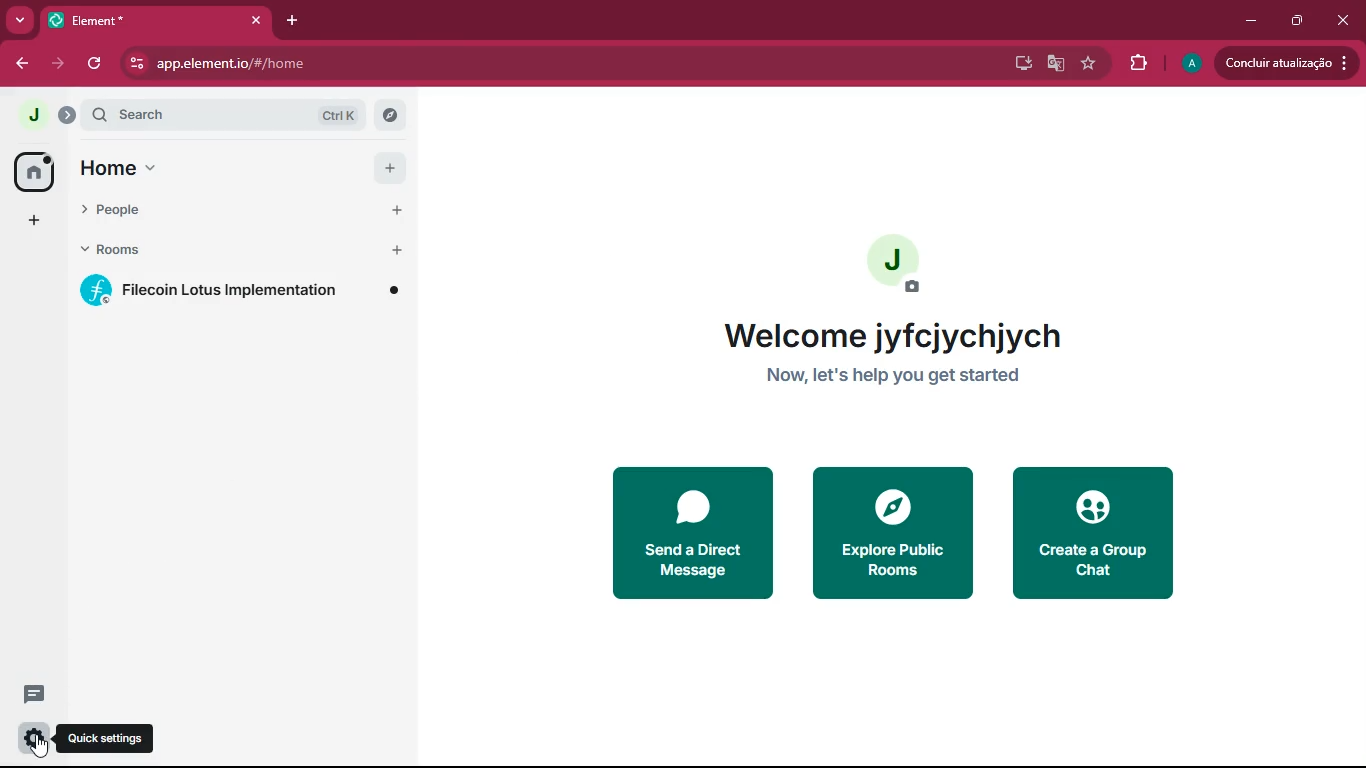 Image resolution: width=1366 pixels, height=768 pixels. Describe the element at coordinates (241, 216) in the screenshot. I see `people` at that location.